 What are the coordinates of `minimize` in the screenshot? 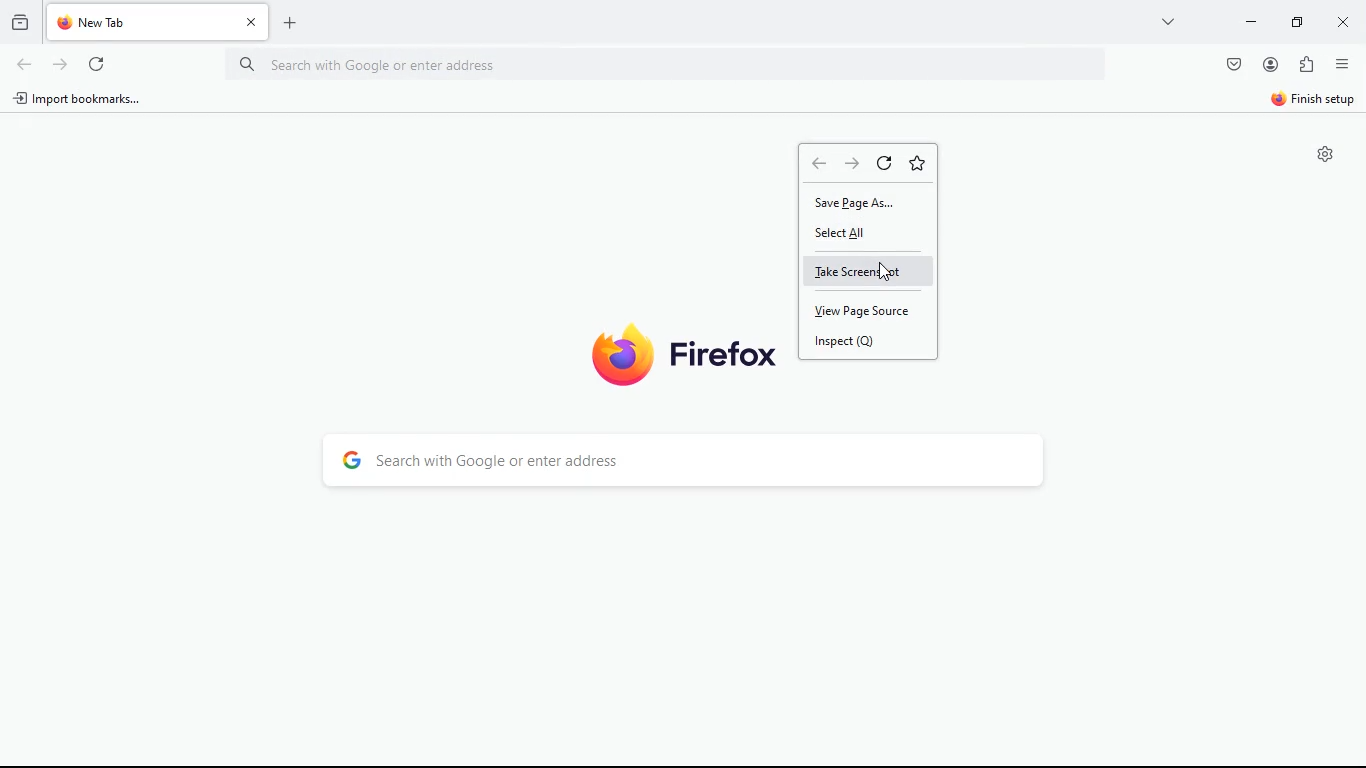 It's located at (1248, 22).